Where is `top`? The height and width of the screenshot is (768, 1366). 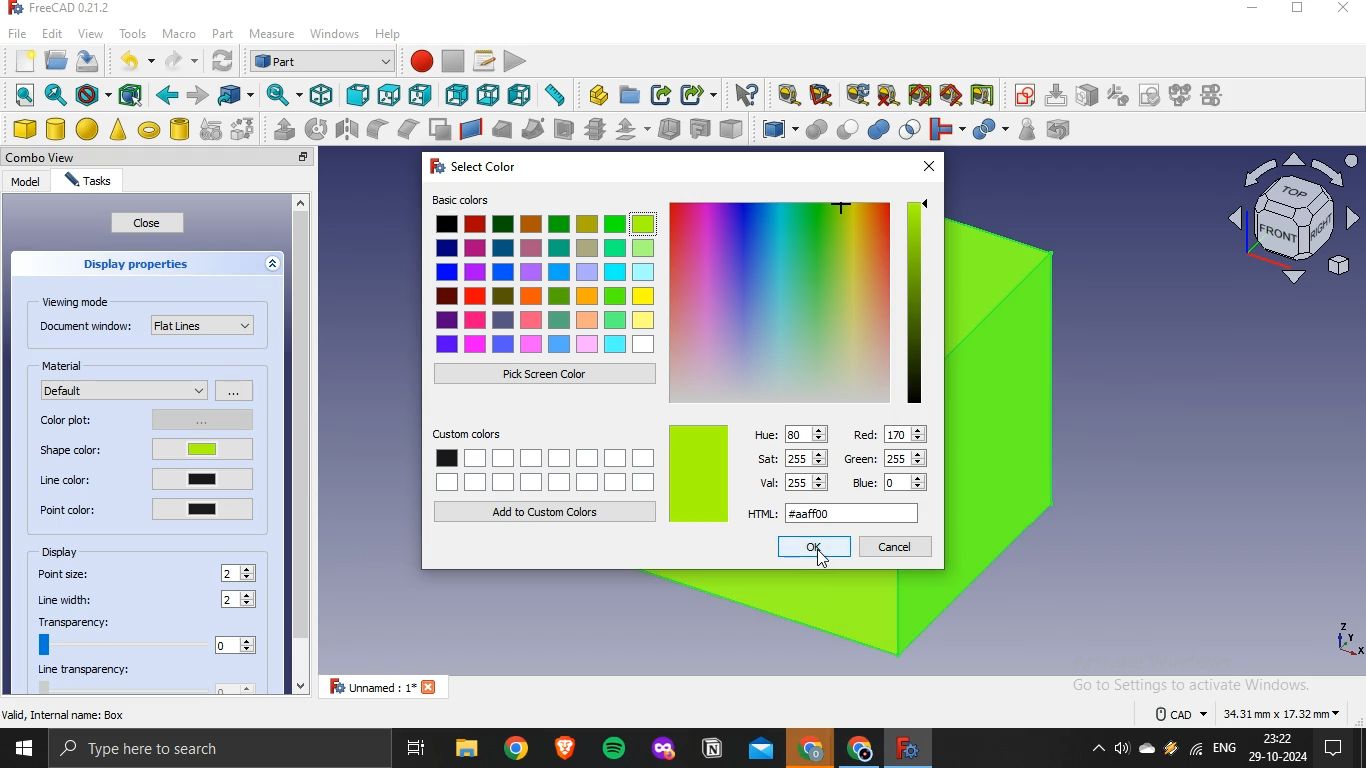 top is located at coordinates (388, 96).